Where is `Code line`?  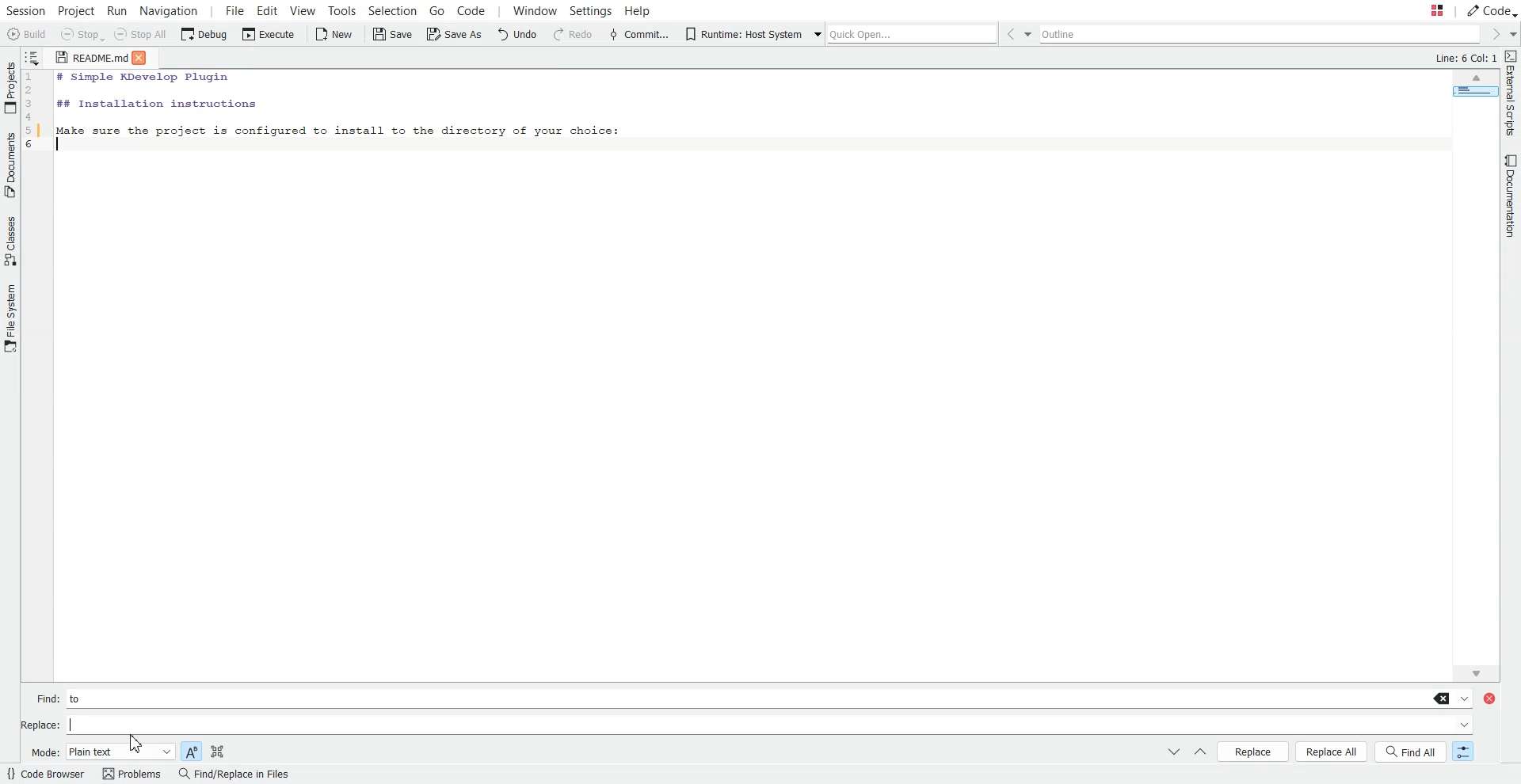 Code line is located at coordinates (35, 114).